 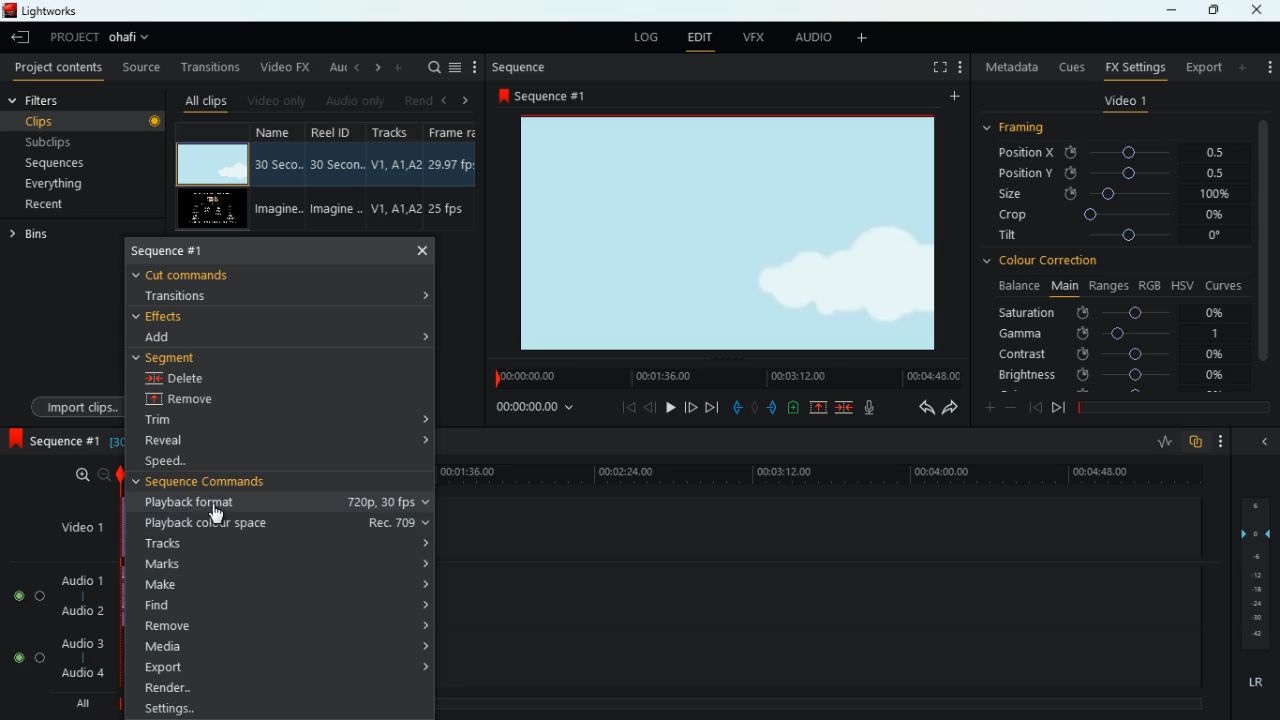 What do you see at coordinates (690, 408) in the screenshot?
I see `jump` at bounding box center [690, 408].